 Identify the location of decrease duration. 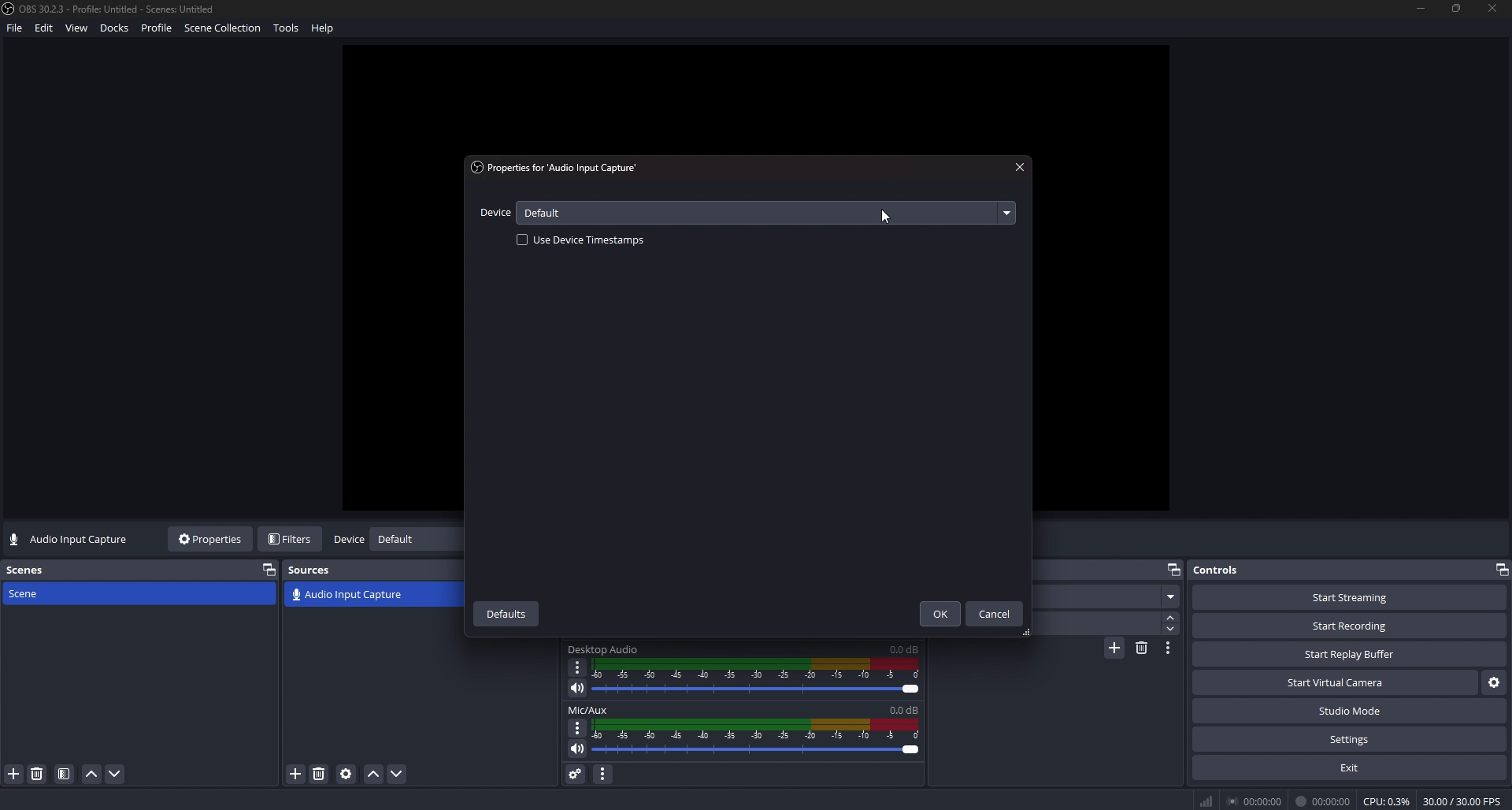
(1171, 629).